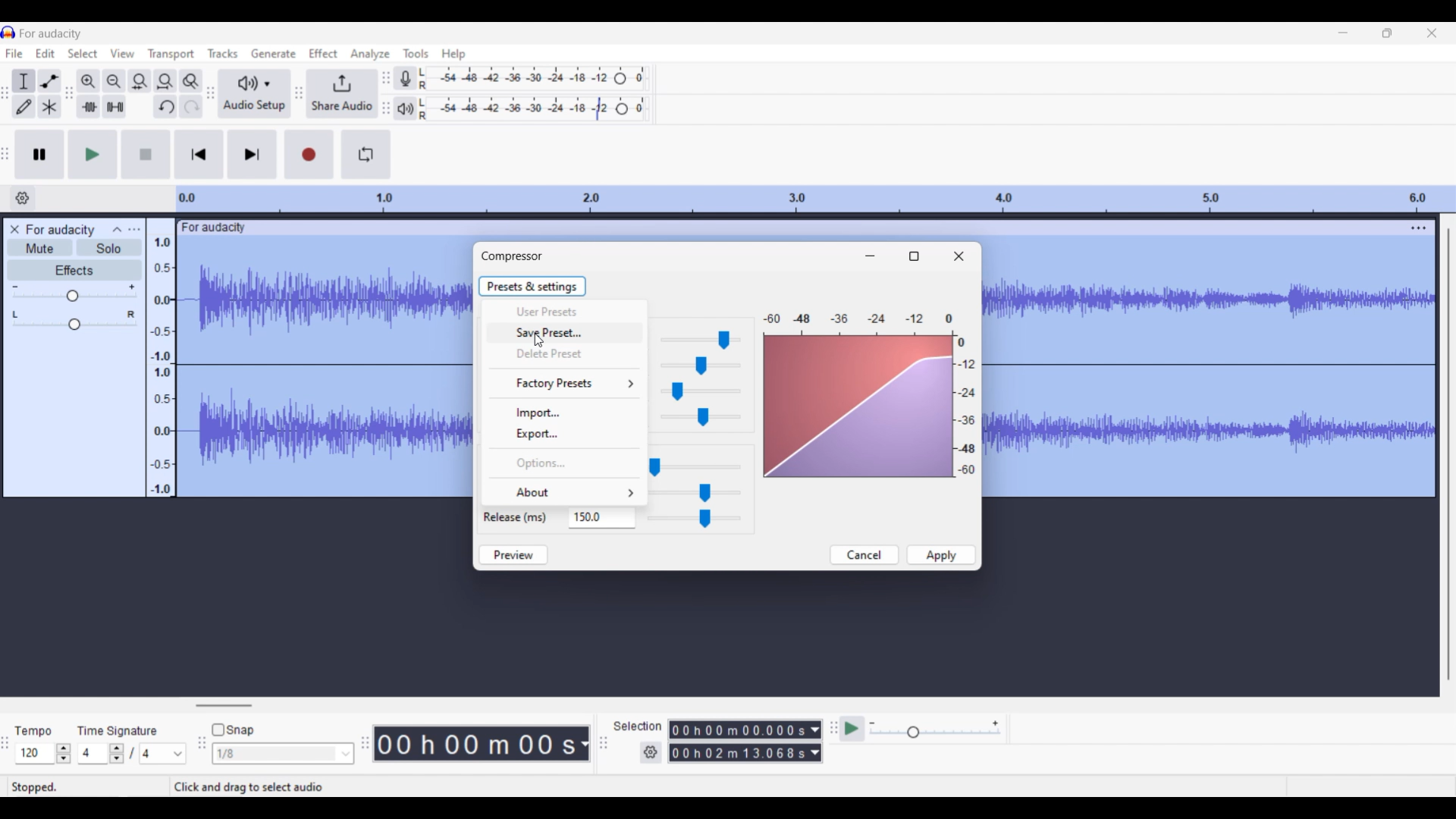  I want to click on Project name, so click(50, 34).